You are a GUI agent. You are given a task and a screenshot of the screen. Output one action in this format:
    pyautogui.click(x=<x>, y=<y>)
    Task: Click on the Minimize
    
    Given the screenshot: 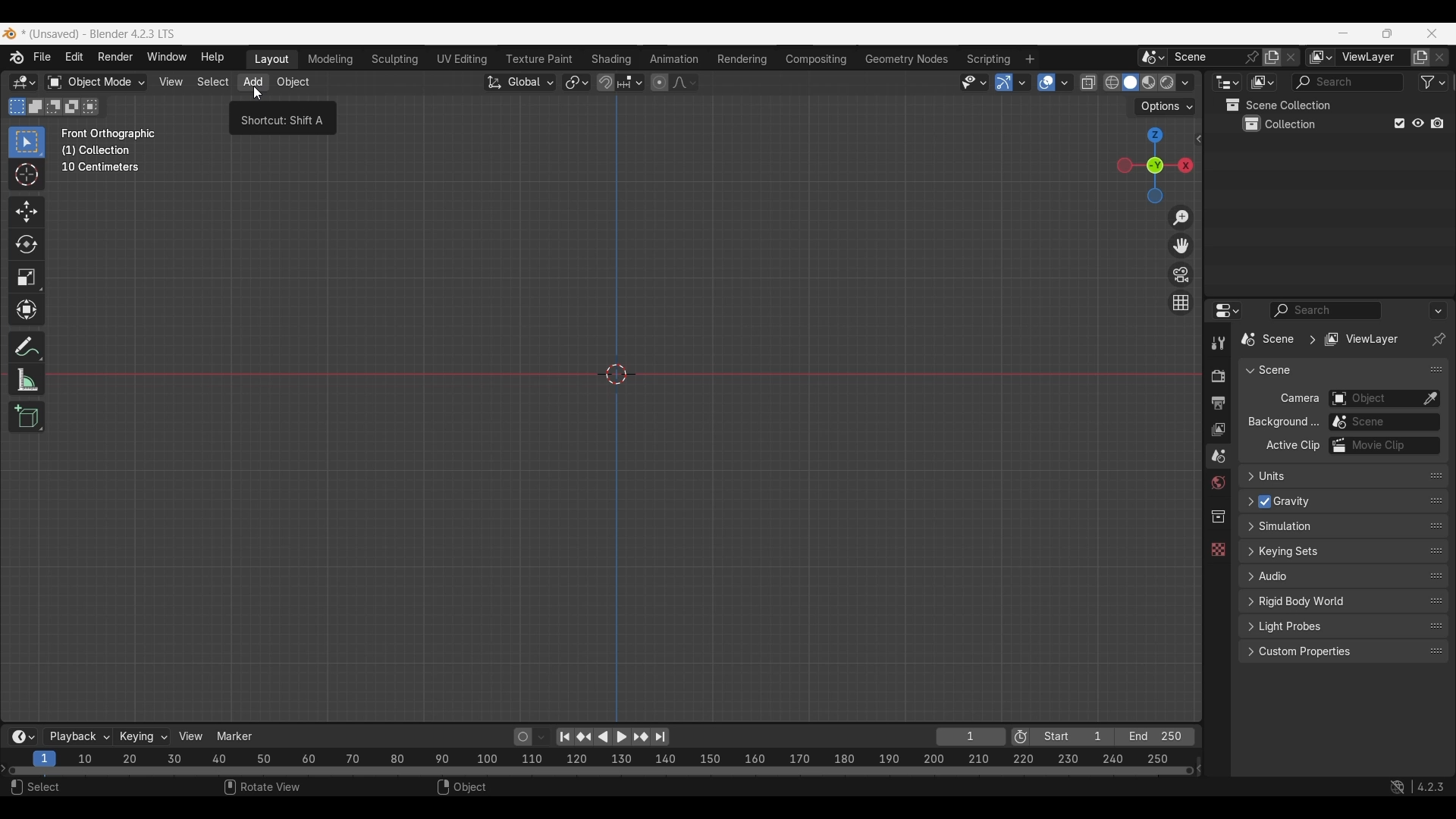 What is the action you would take?
    pyautogui.click(x=1344, y=33)
    